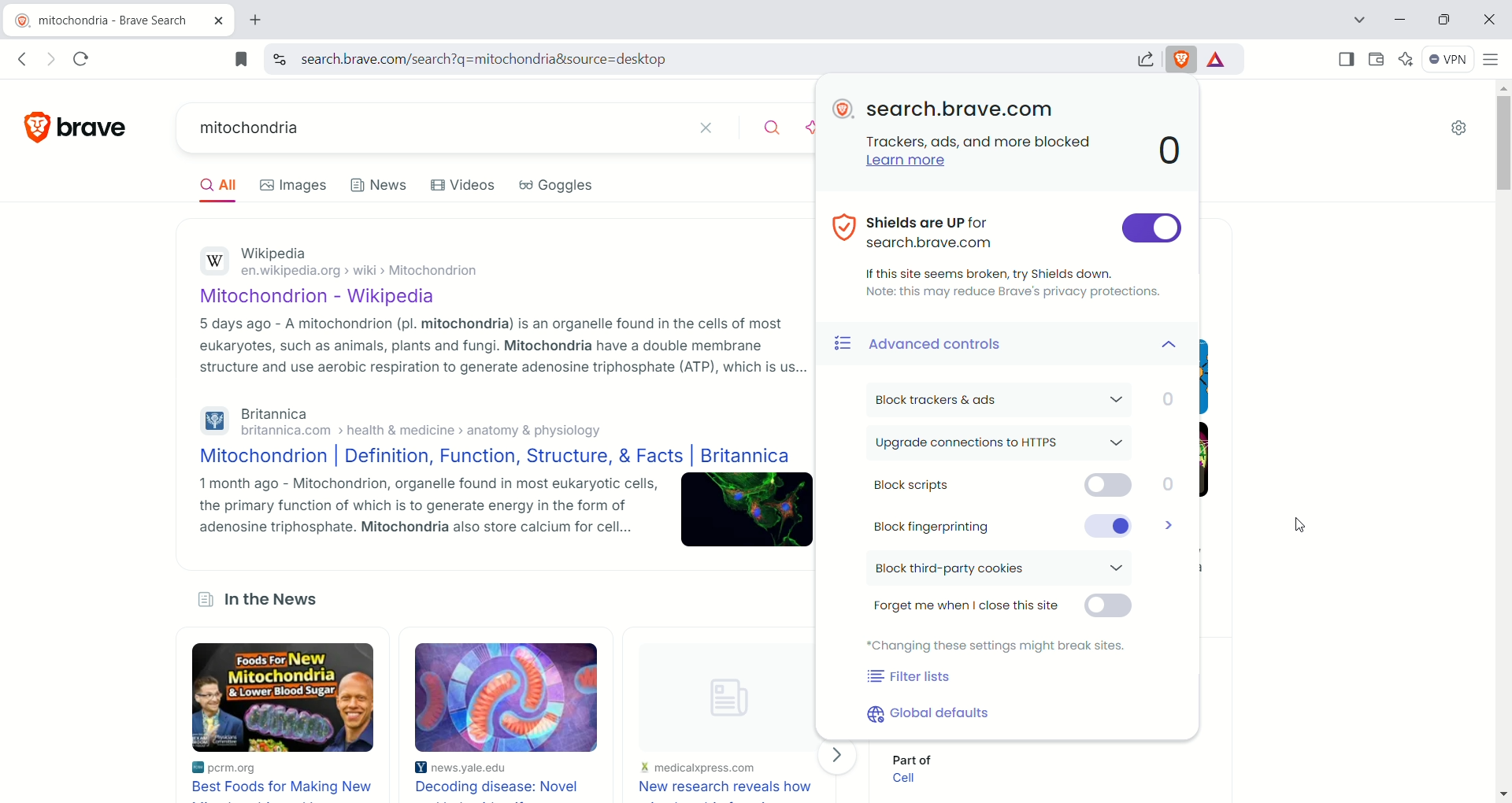 Image resolution: width=1512 pixels, height=803 pixels. I want to click on show sidebar, so click(1343, 59).